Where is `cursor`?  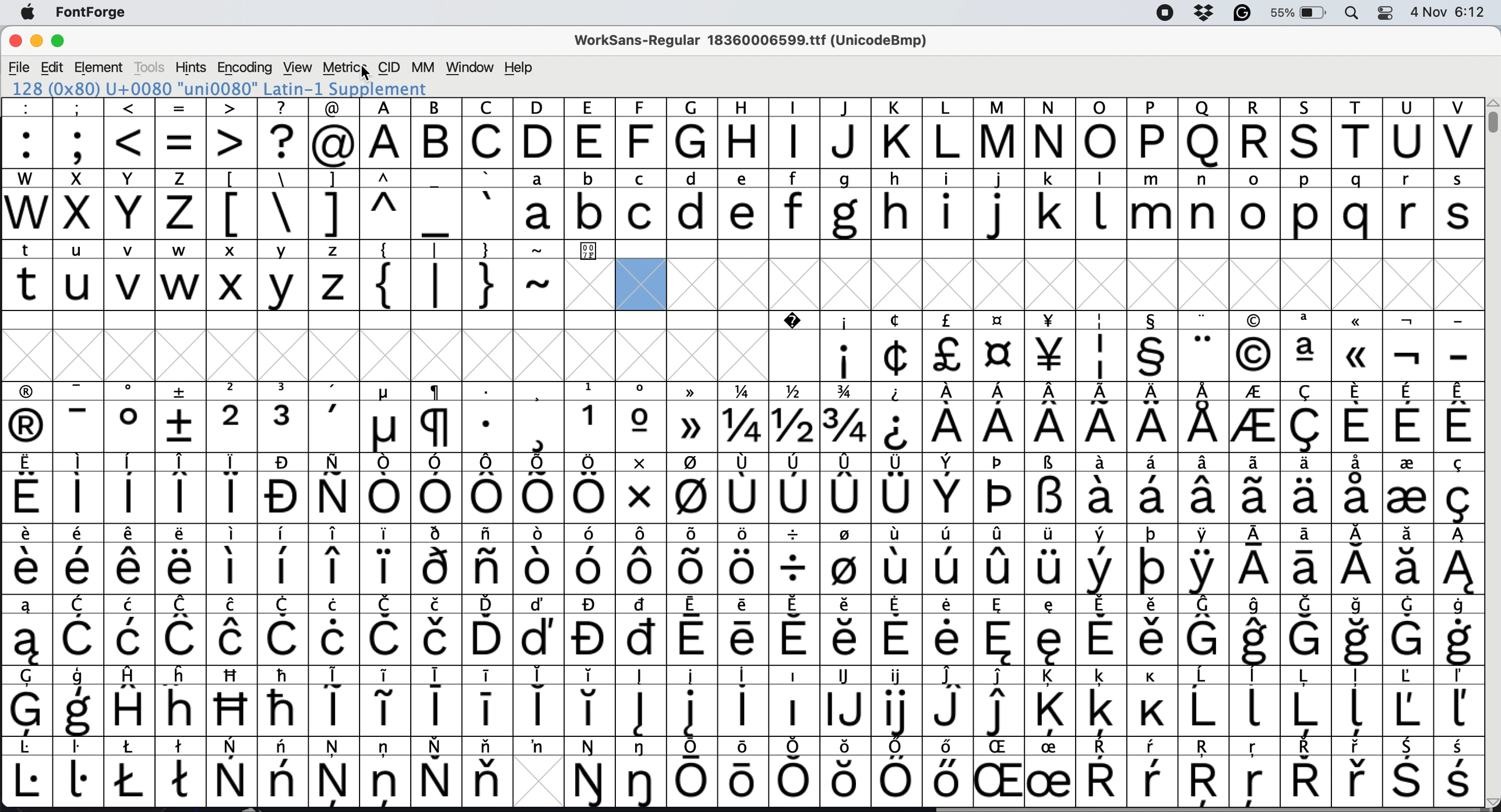 cursor is located at coordinates (371, 74).